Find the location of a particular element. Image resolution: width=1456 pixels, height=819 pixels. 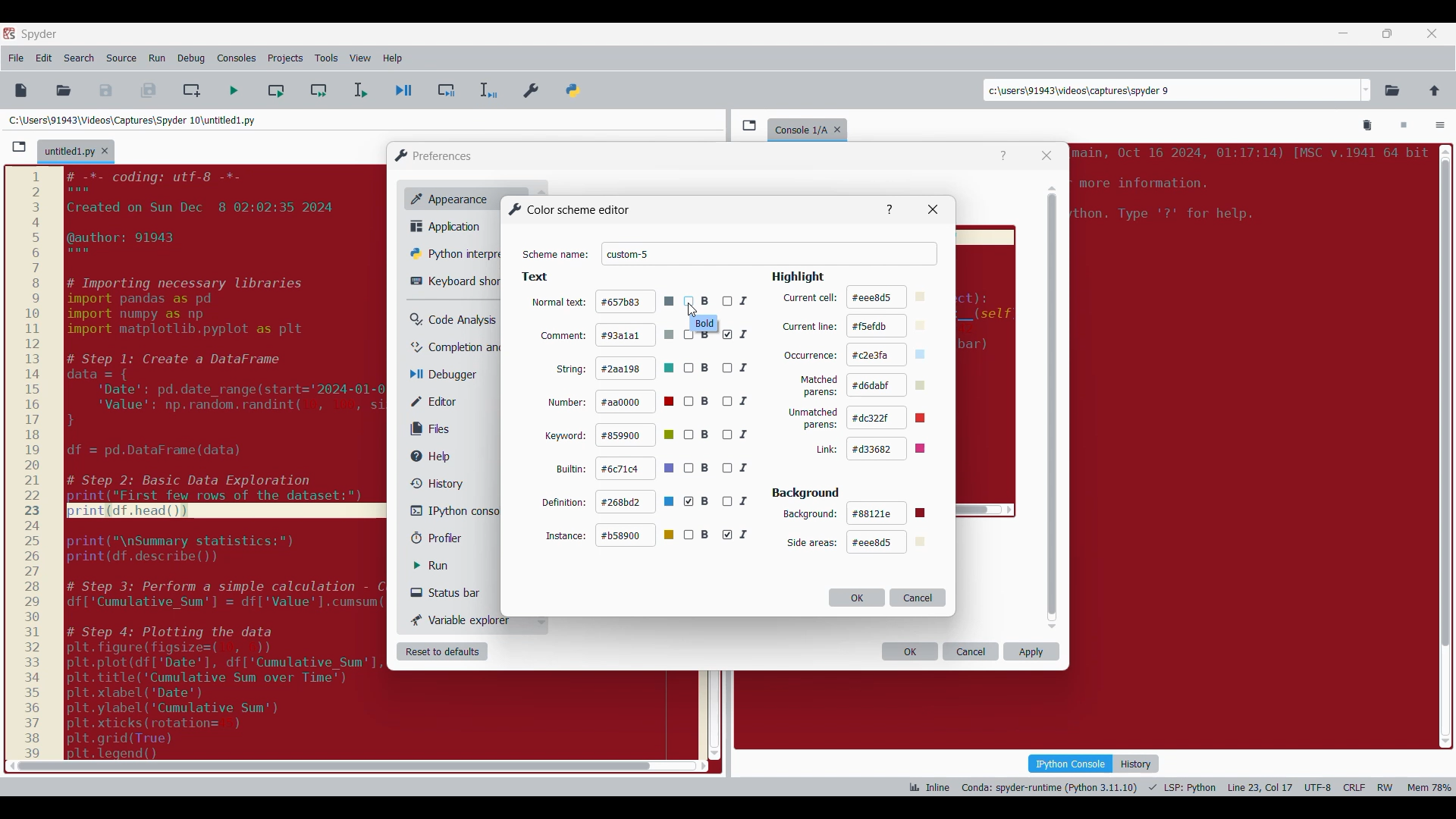

Variable explorer is located at coordinates (462, 620).